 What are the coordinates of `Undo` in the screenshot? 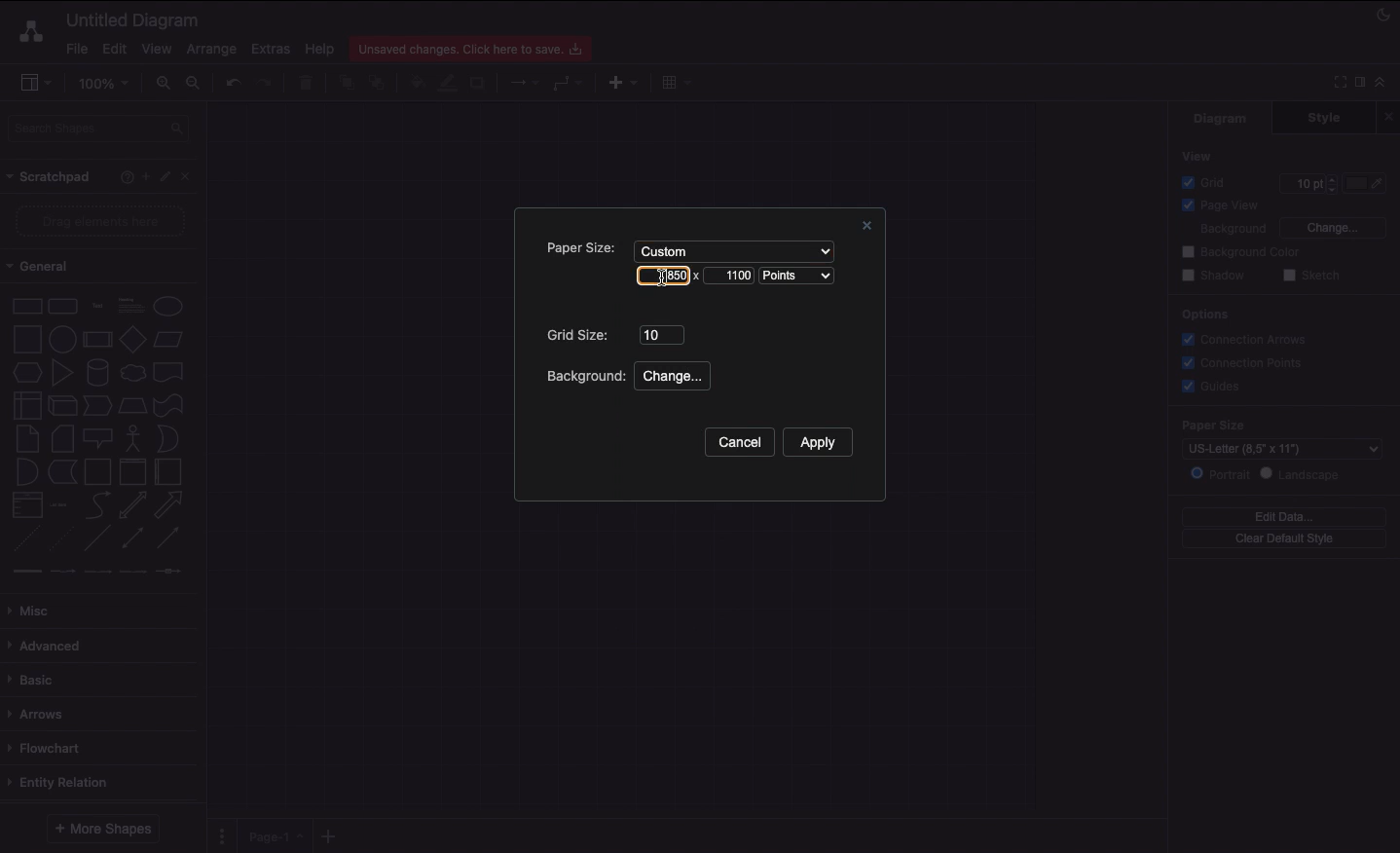 It's located at (232, 82).